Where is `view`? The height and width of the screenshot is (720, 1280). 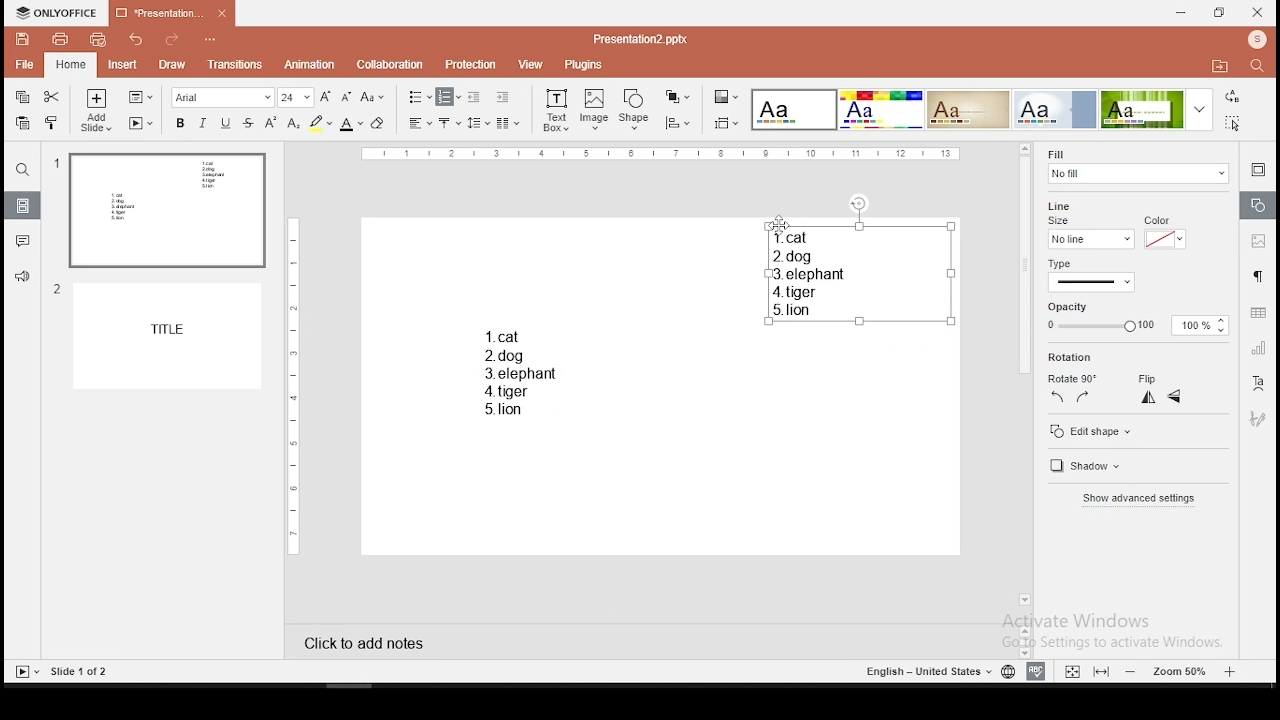 view is located at coordinates (530, 65).